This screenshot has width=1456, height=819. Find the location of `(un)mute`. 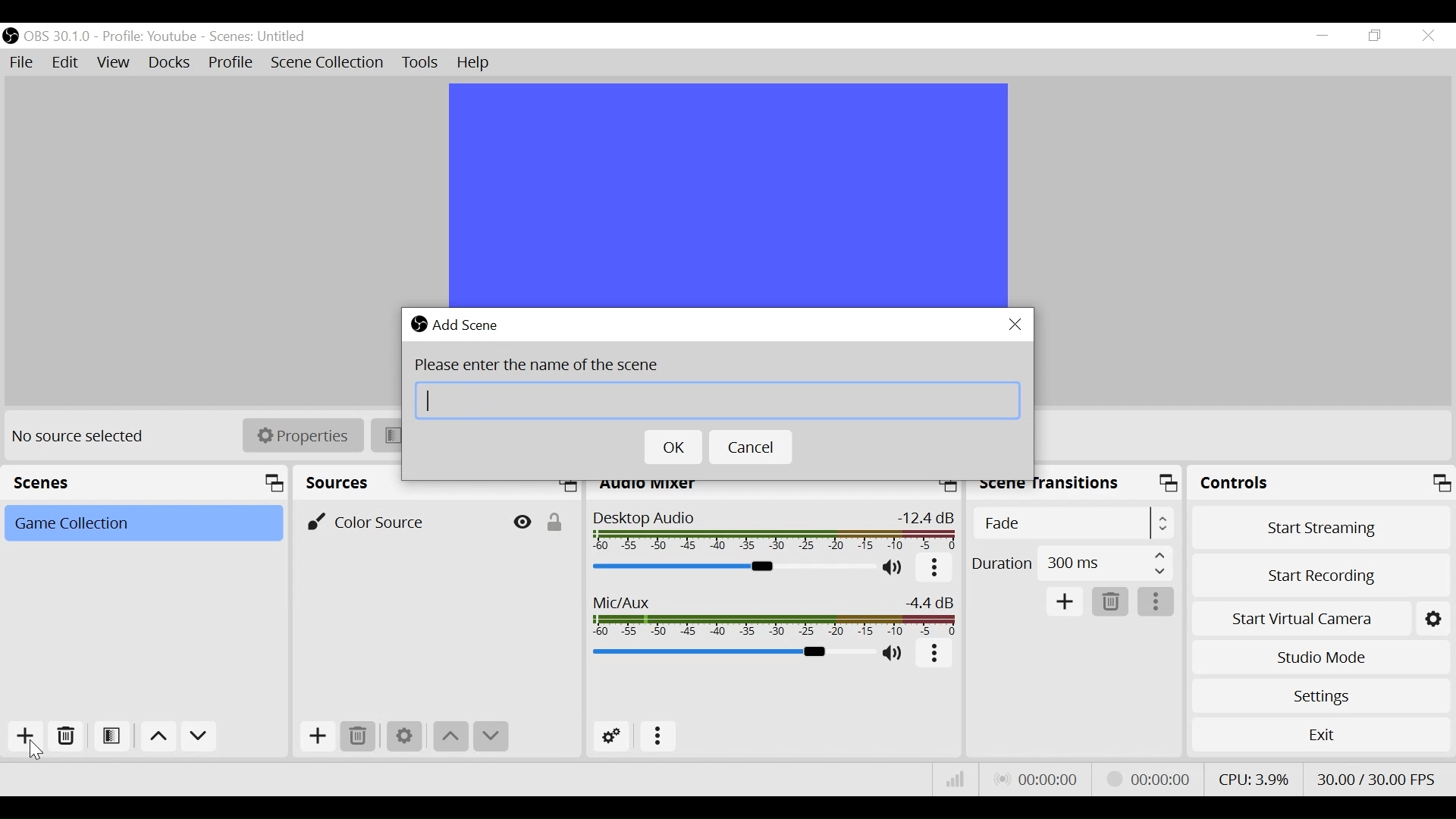

(un)mute is located at coordinates (893, 655).